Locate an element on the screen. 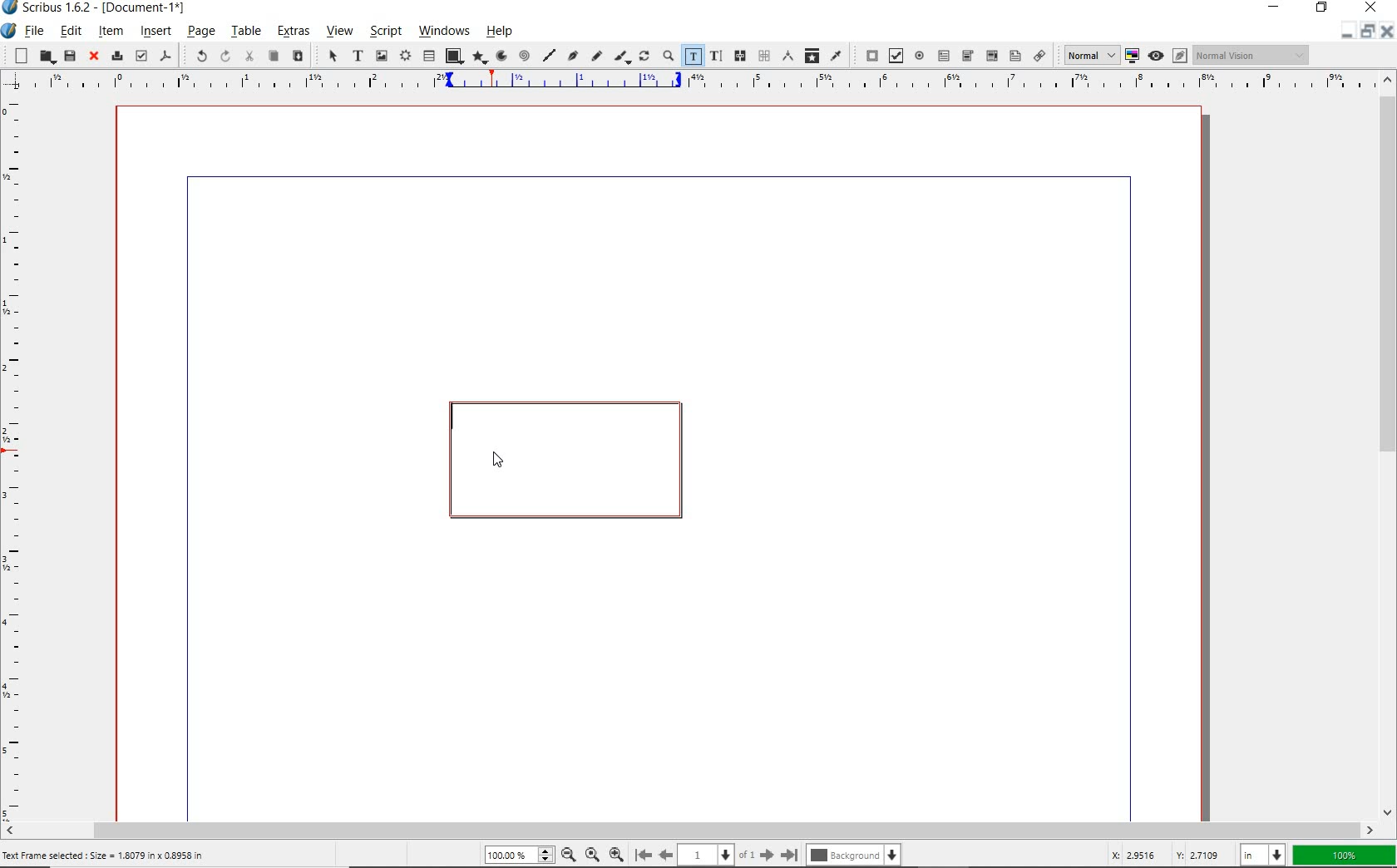  Close is located at coordinates (1386, 32).